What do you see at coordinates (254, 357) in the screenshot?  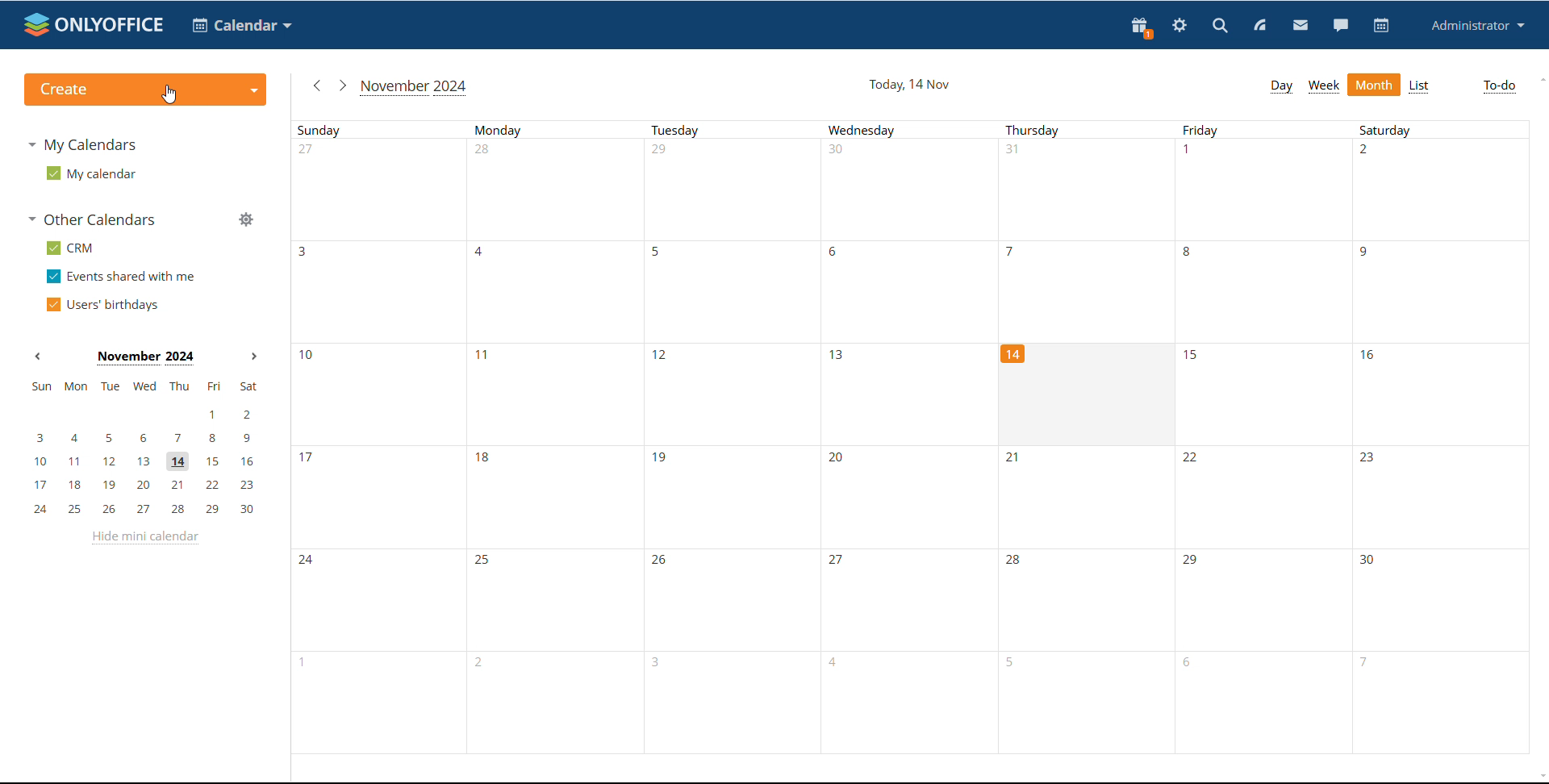 I see `next month` at bounding box center [254, 357].